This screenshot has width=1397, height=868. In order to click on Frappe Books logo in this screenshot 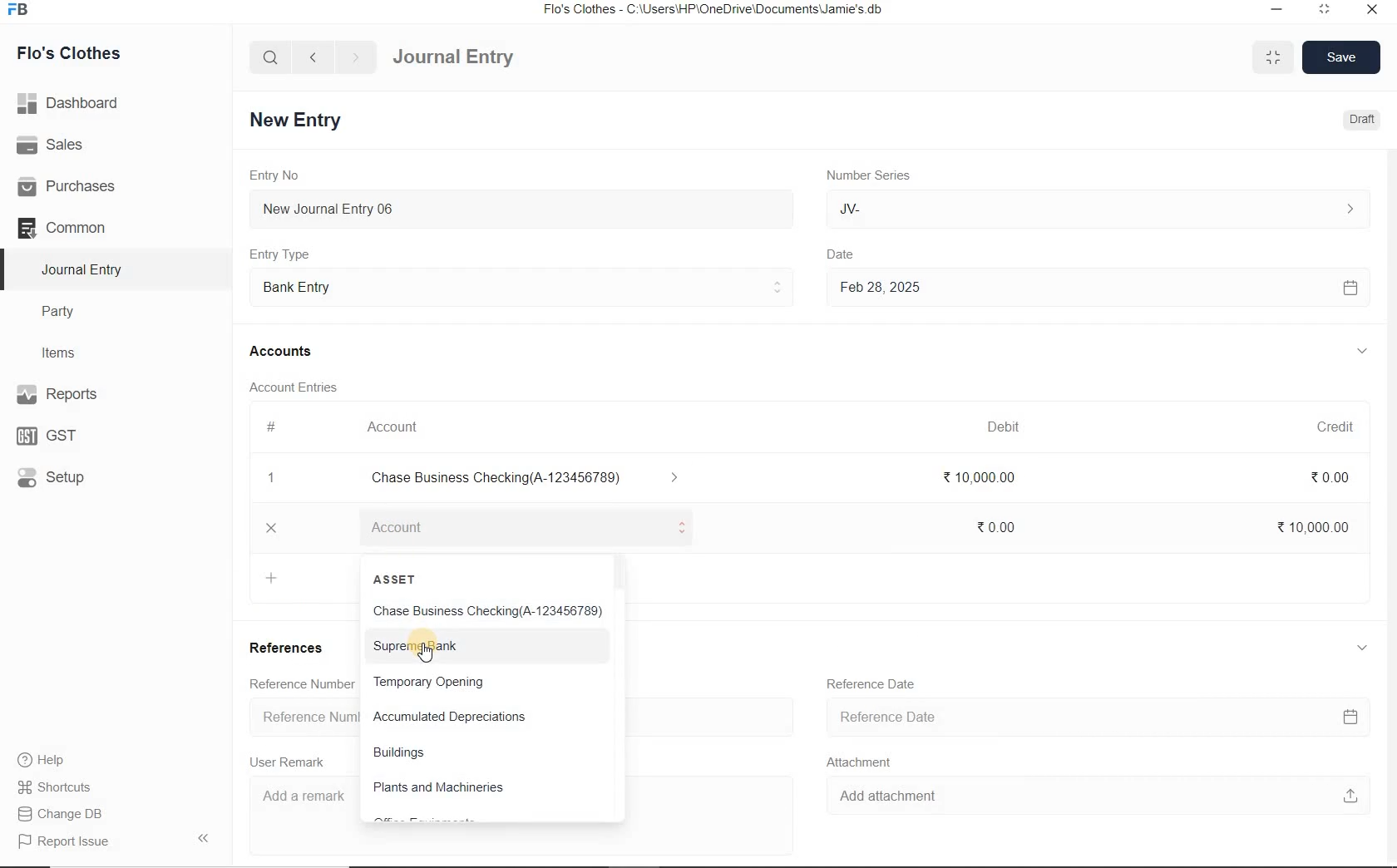, I will do `click(22, 12)`.